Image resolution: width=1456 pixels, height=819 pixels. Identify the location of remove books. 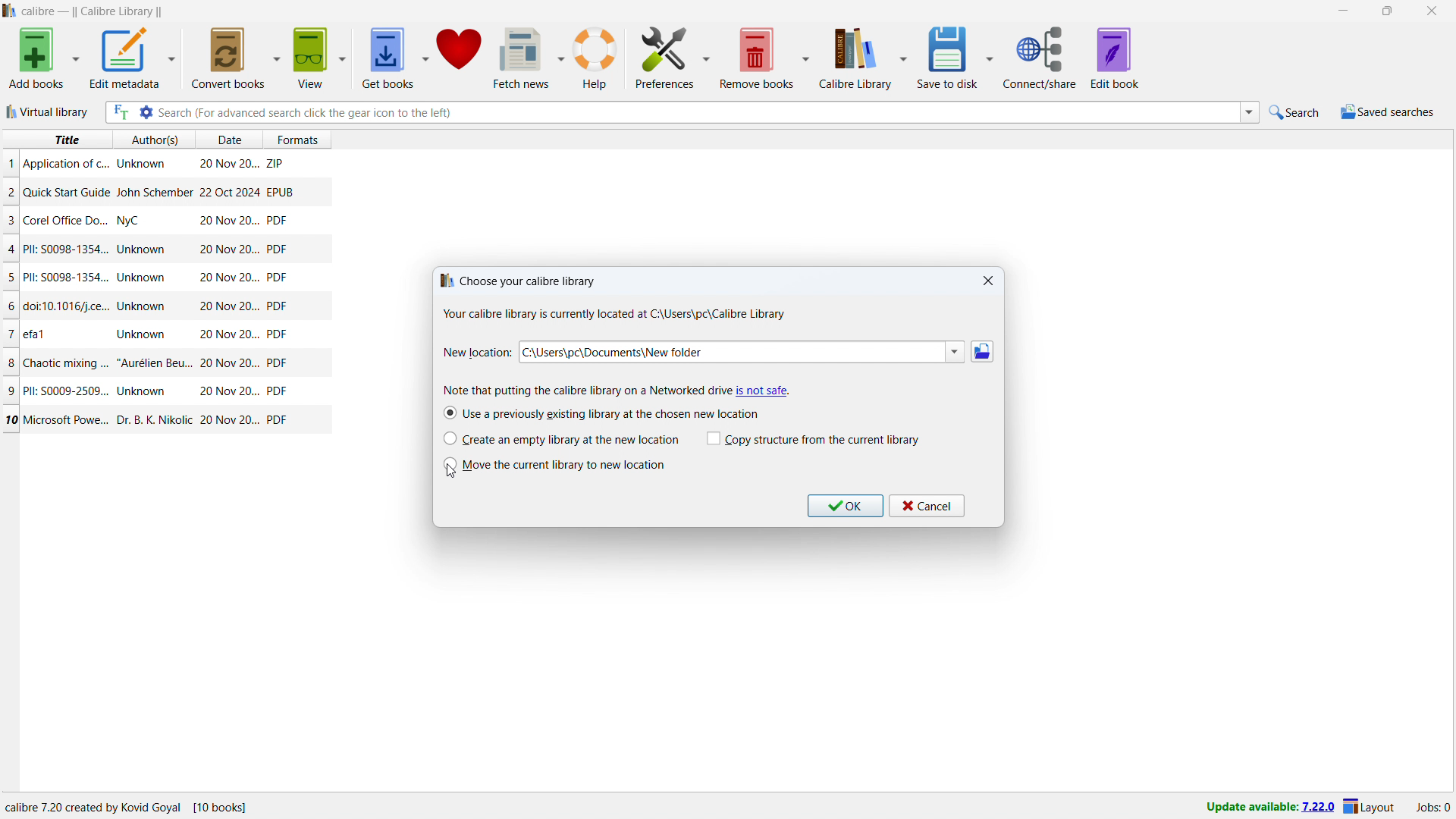
(757, 58).